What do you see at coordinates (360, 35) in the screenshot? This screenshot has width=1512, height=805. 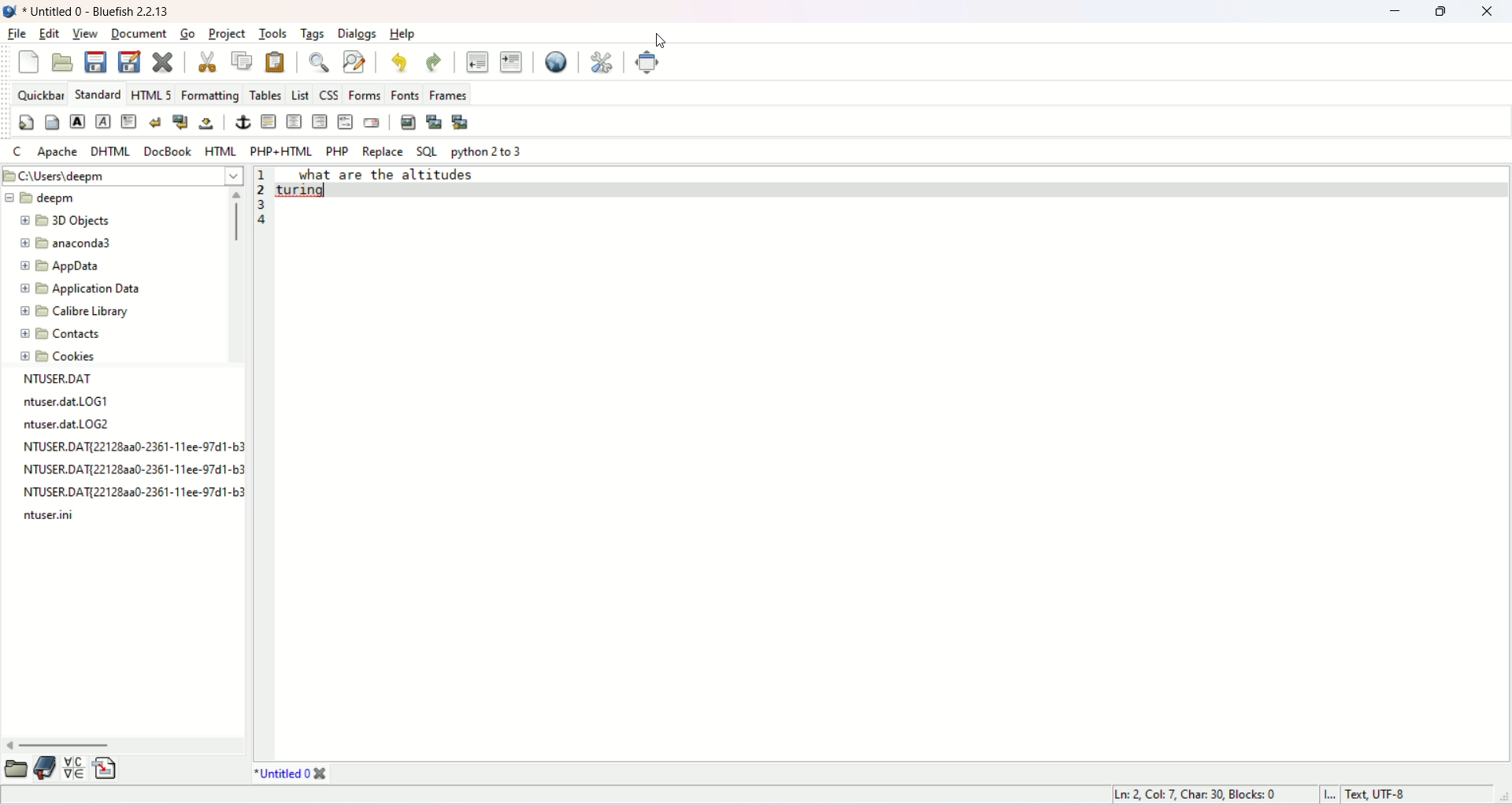 I see `dialogs` at bounding box center [360, 35].